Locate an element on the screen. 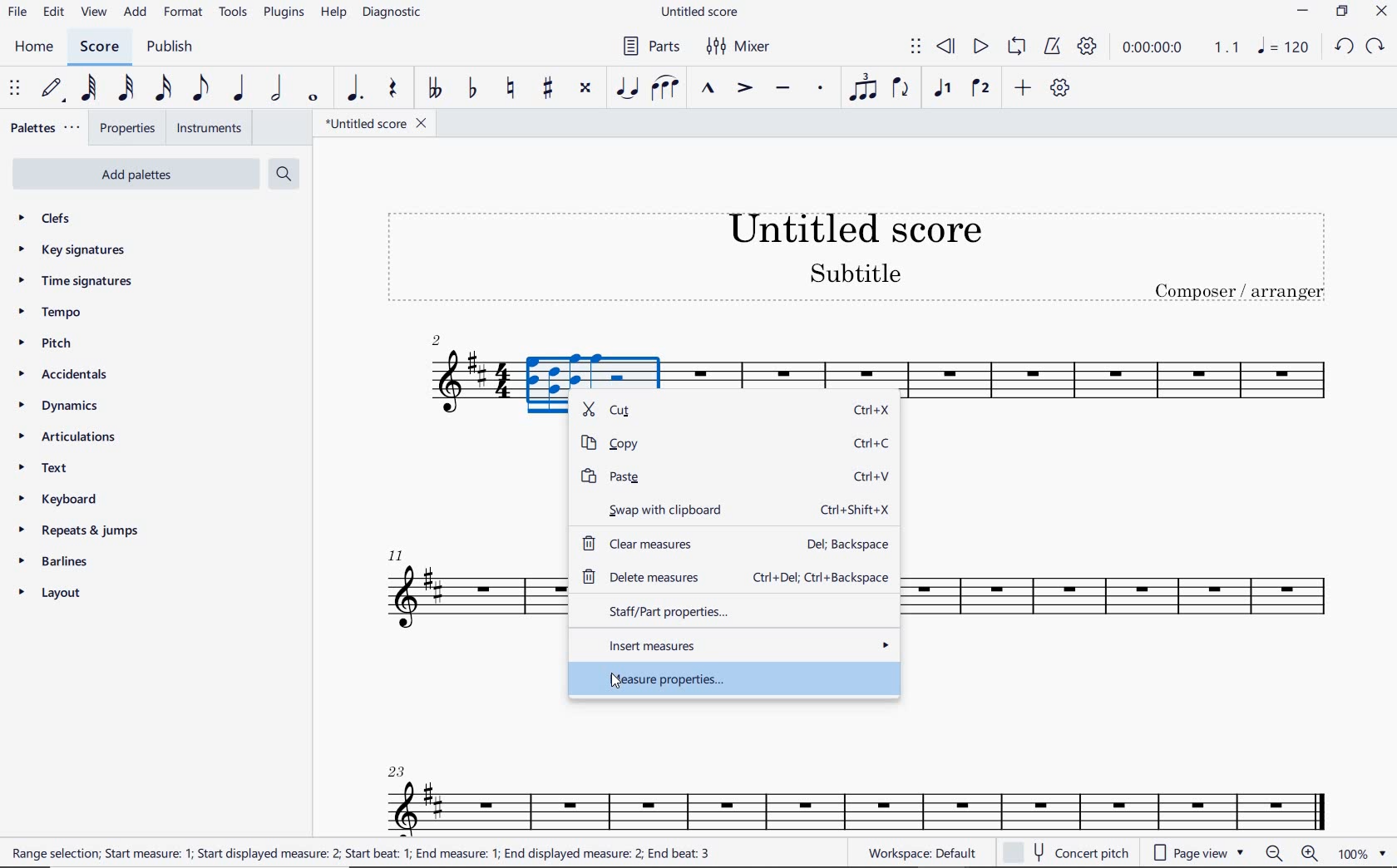  DIAGNOSTIC is located at coordinates (397, 13).